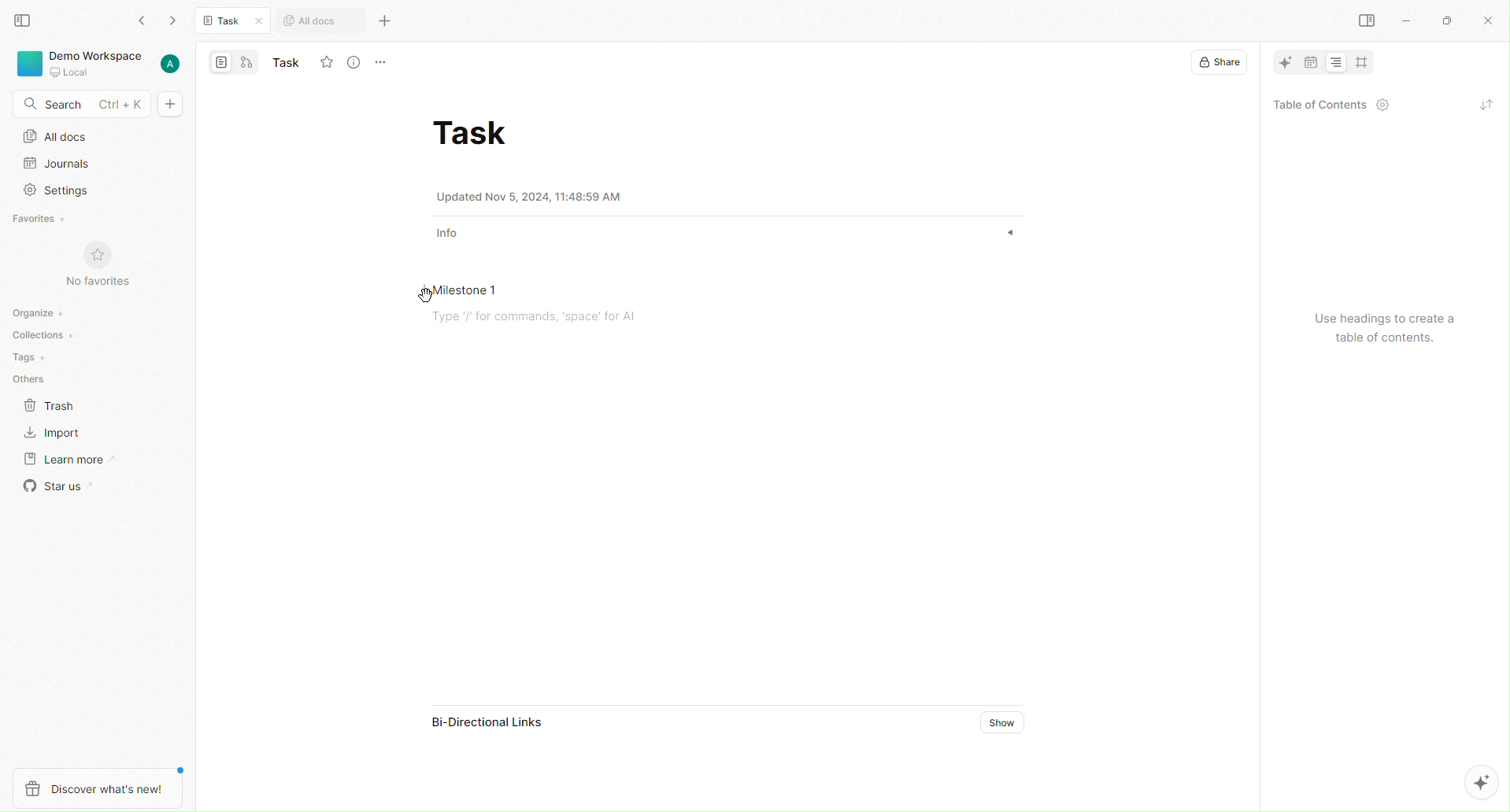  What do you see at coordinates (1328, 106) in the screenshot?
I see `Table of Contents` at bounding box center [1328, 106].